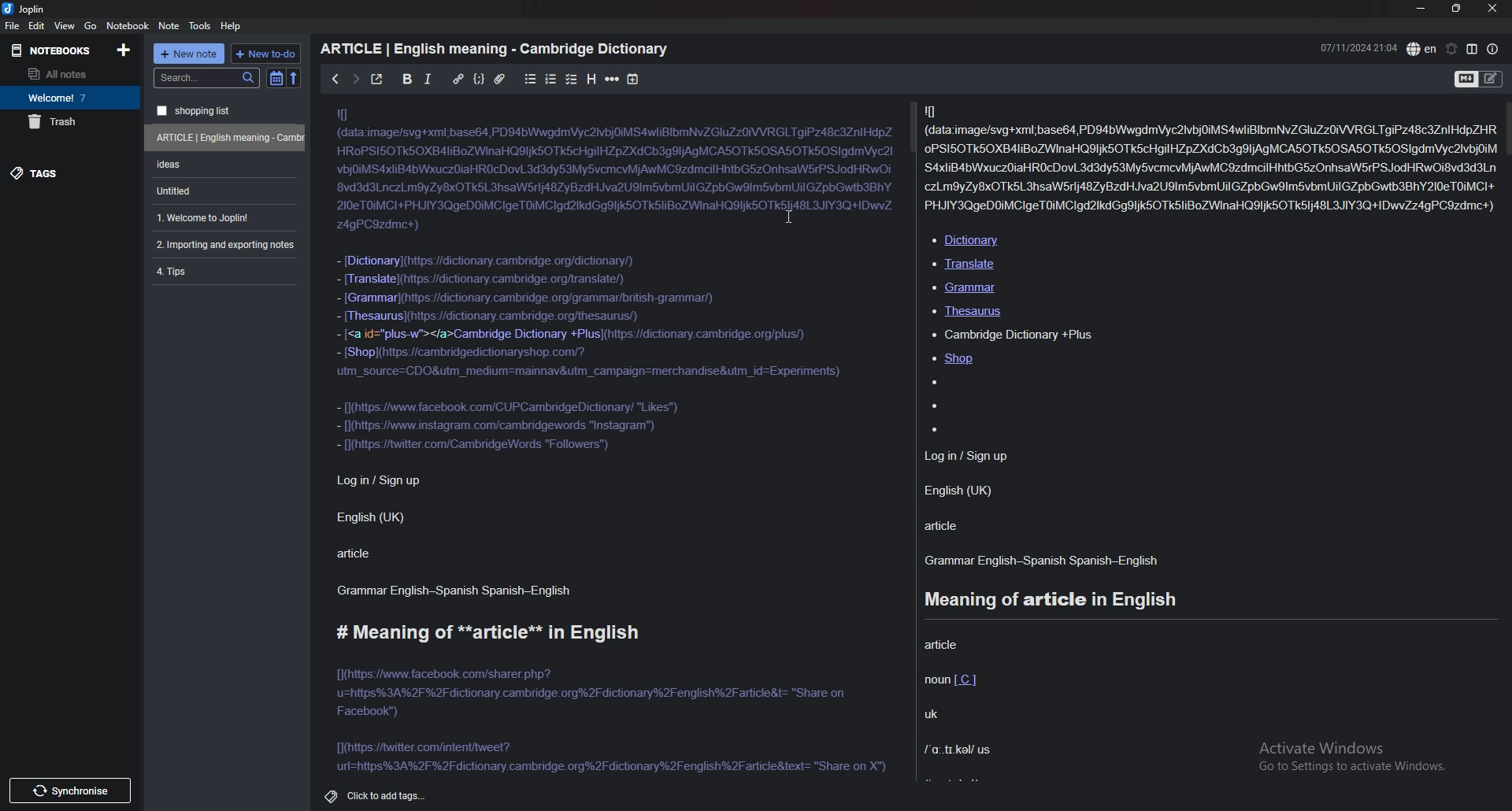 The image size is (1512, 811). I want to click on new todo, so click(266, 53).